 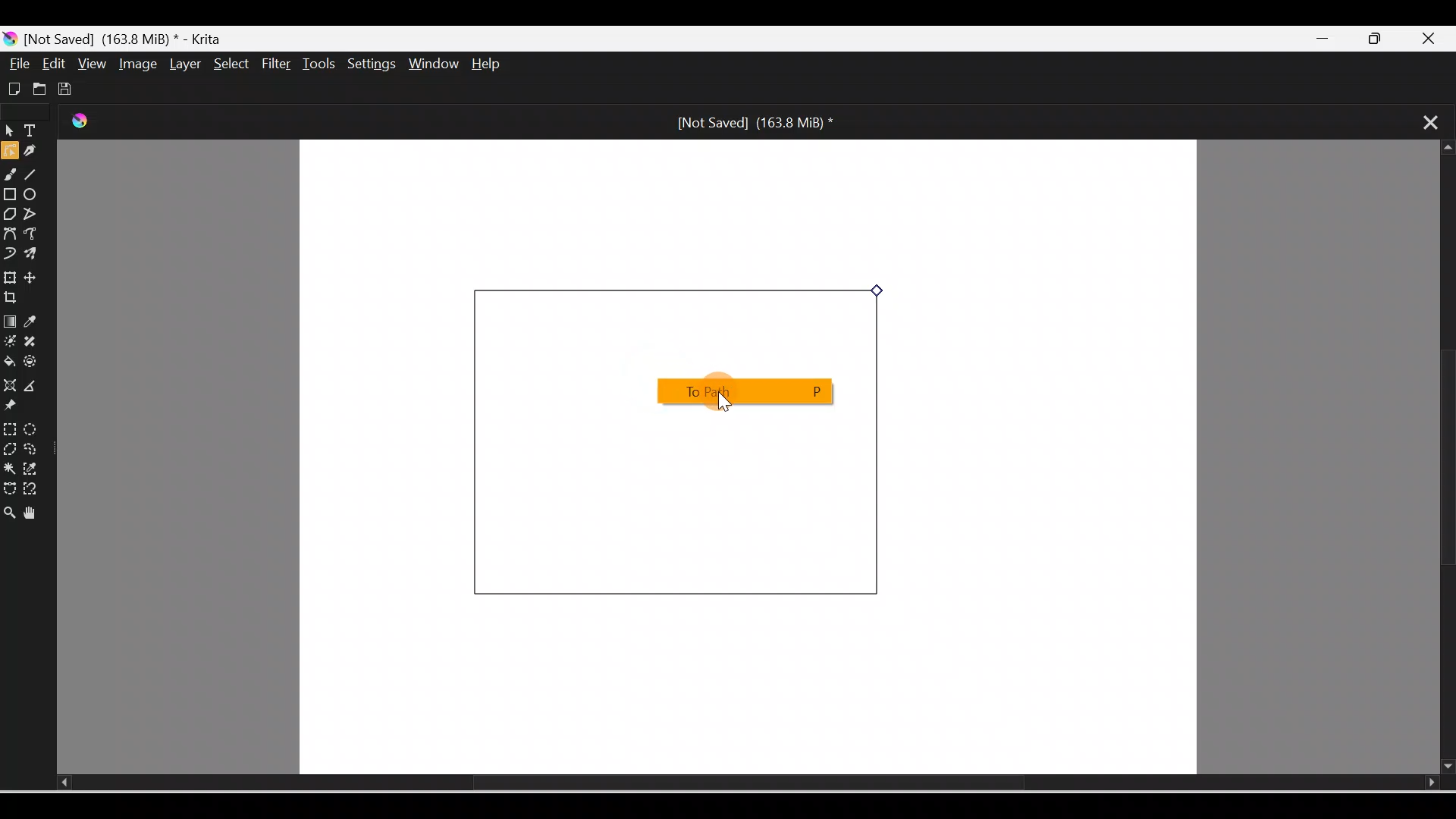 I want to click on Scroll bar, so click(x=1442, y=458).